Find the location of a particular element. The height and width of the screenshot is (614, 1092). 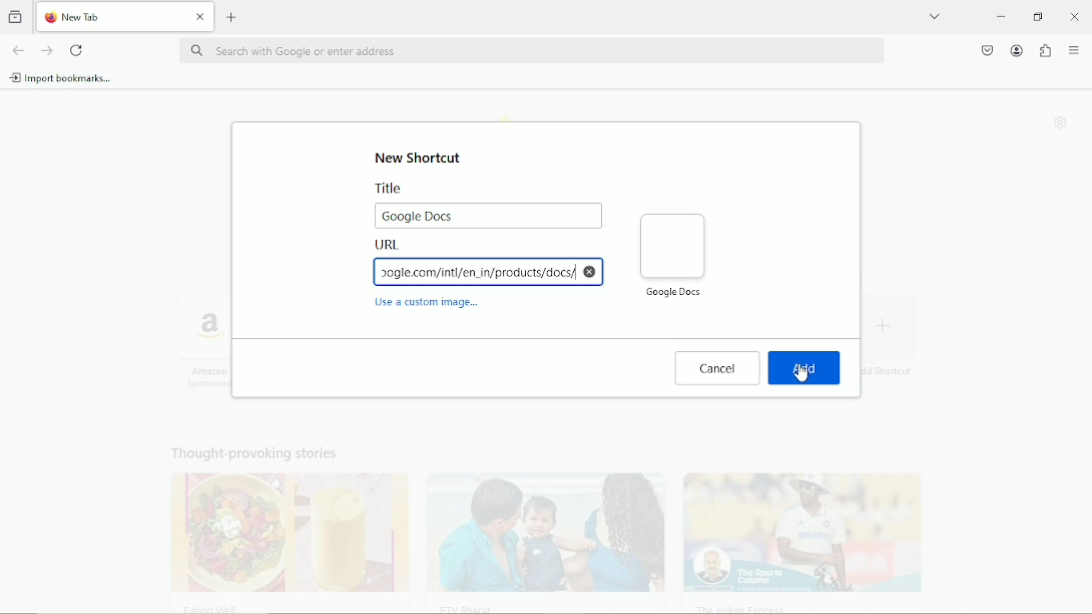

URL: www.google.com/intl/en_in/products/docs/ is located at coordinates (489, 264).